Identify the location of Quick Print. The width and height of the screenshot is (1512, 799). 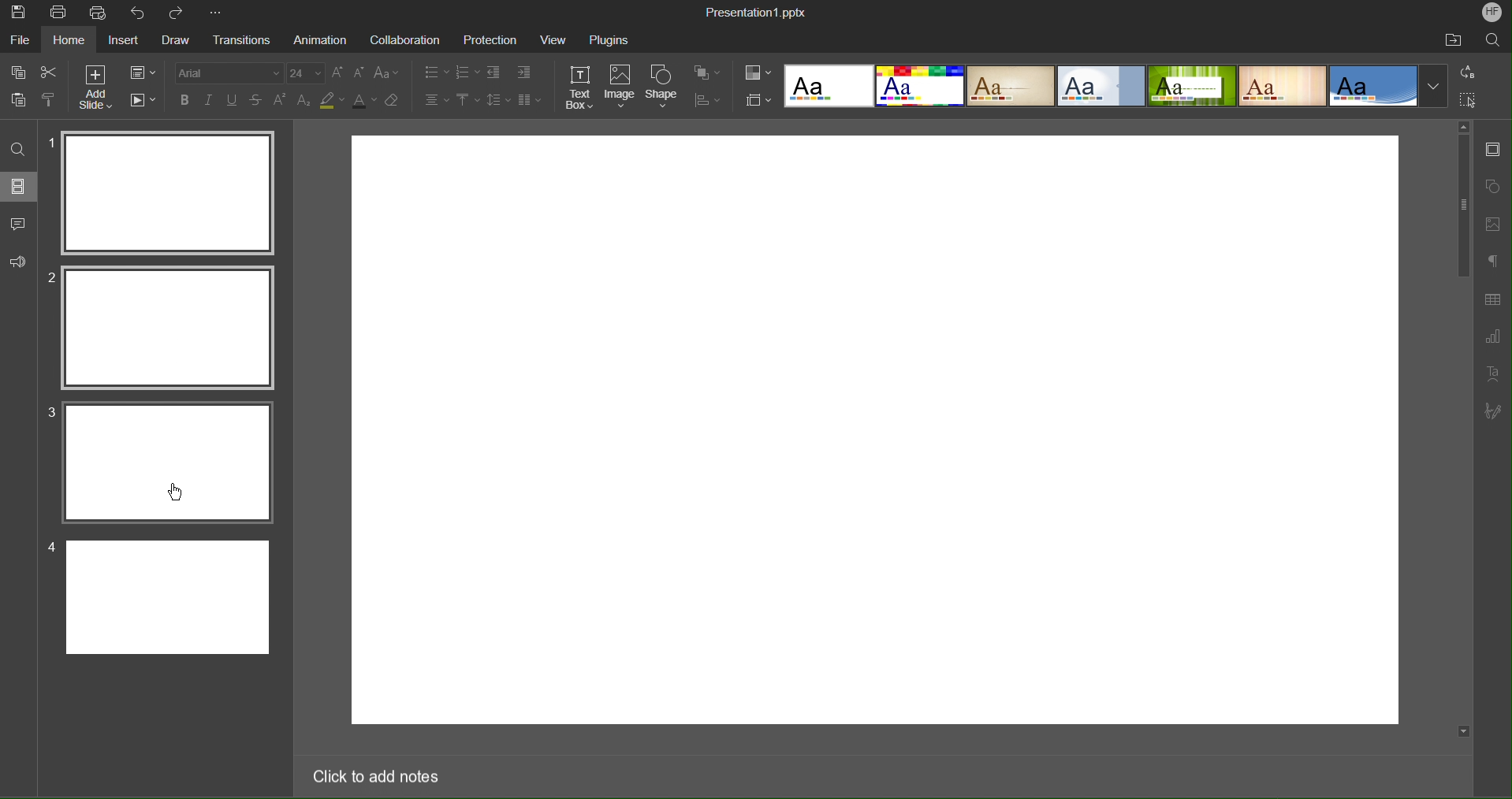
(100, 13).